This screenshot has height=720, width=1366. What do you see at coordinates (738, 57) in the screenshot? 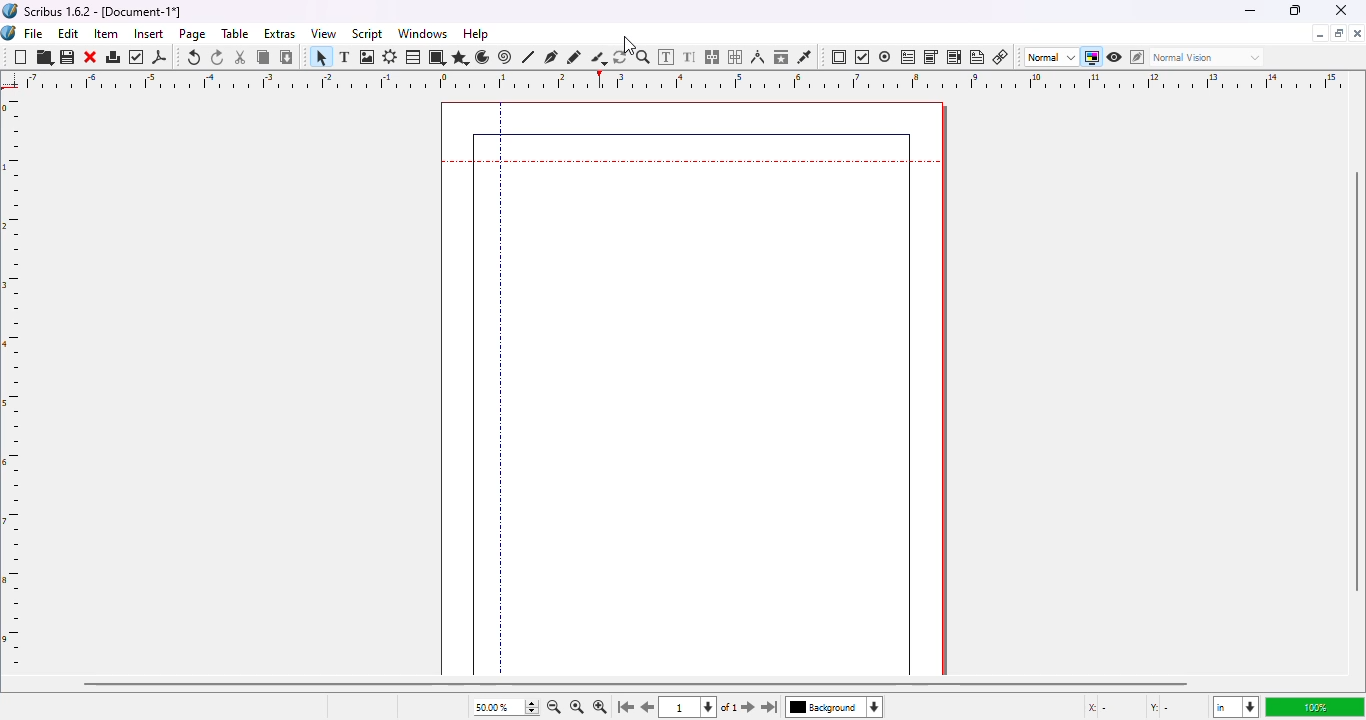
I see `unlink text frames` at bounding box center [738, 57].